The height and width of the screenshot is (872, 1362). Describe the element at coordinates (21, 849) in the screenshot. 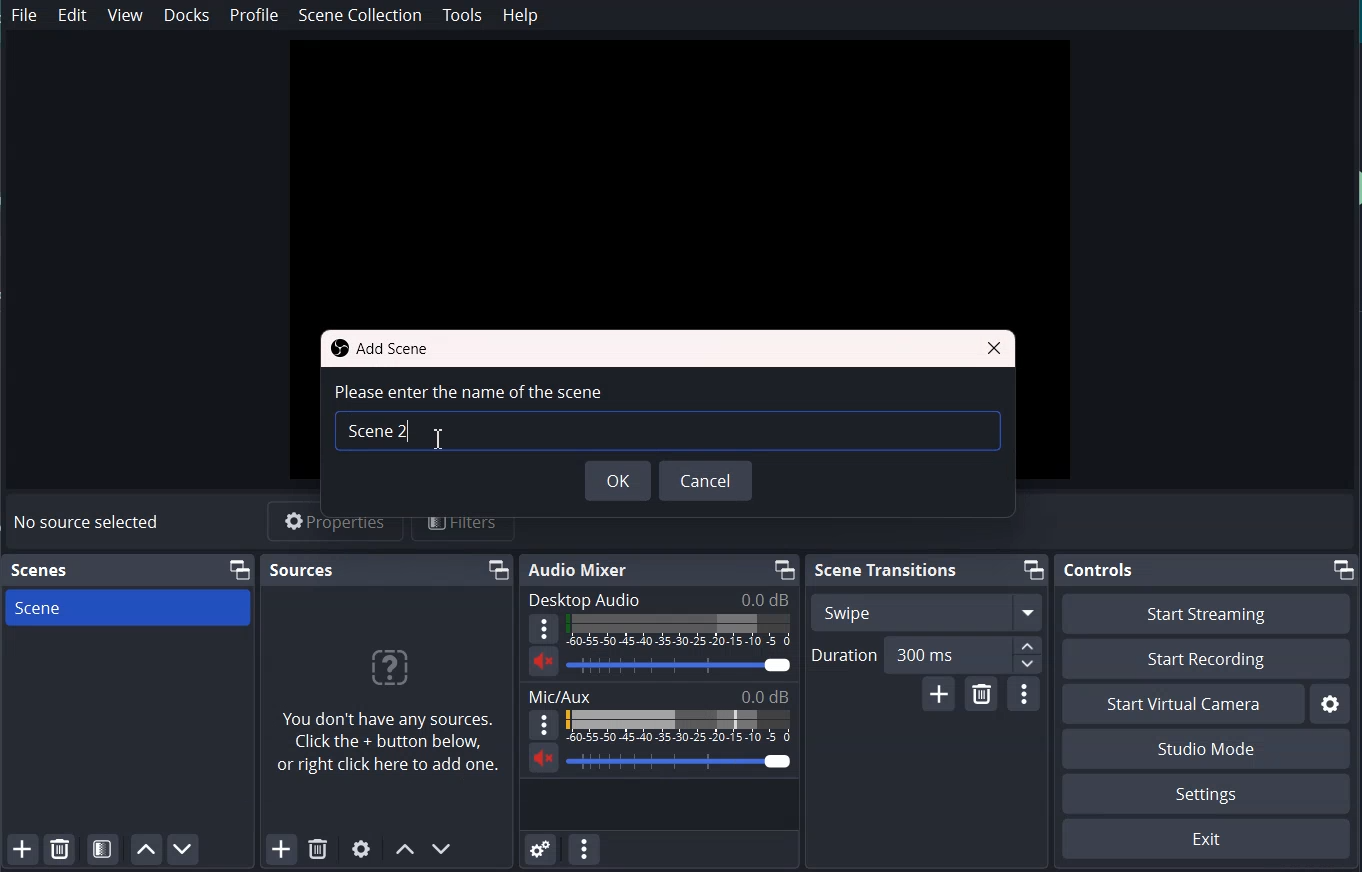

I see `Add scene` at that location.